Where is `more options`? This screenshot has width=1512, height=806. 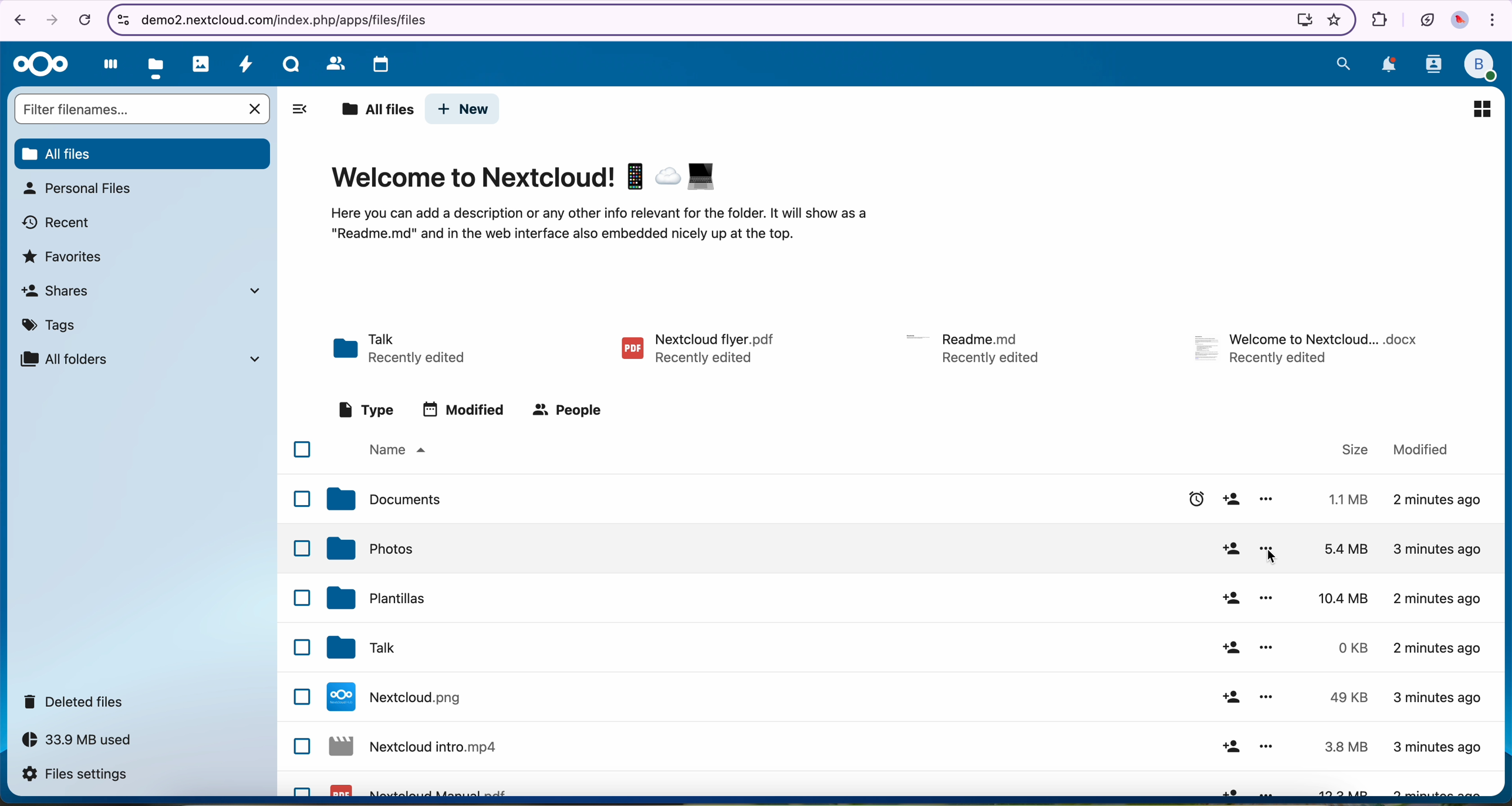
more options is located at coordinates (1266, 698).